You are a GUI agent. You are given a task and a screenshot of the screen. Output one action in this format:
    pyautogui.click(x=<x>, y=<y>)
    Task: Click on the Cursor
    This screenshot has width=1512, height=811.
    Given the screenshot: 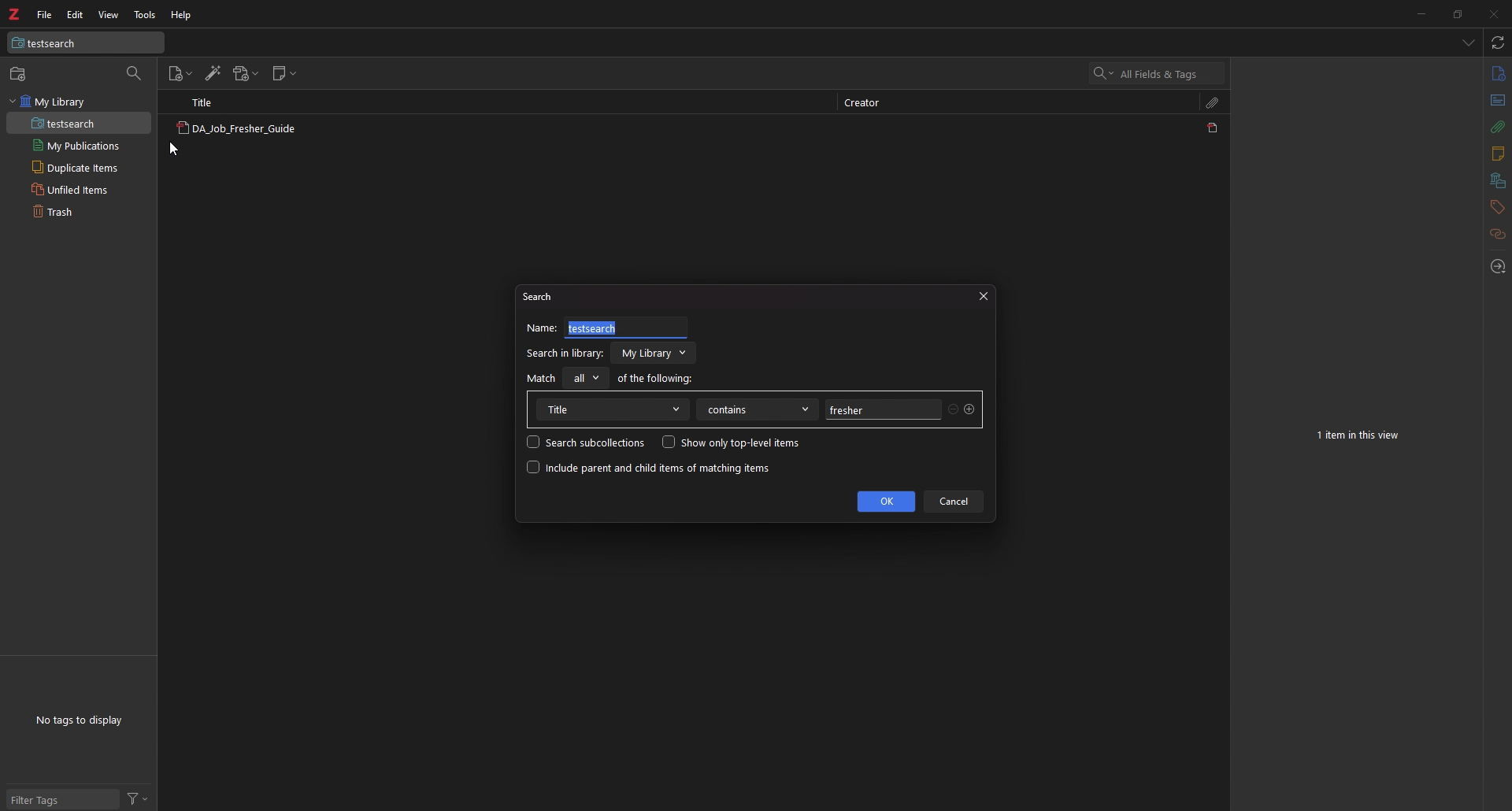 What is the action you would take?
    pyautogui.click(x=173, y=150)
    